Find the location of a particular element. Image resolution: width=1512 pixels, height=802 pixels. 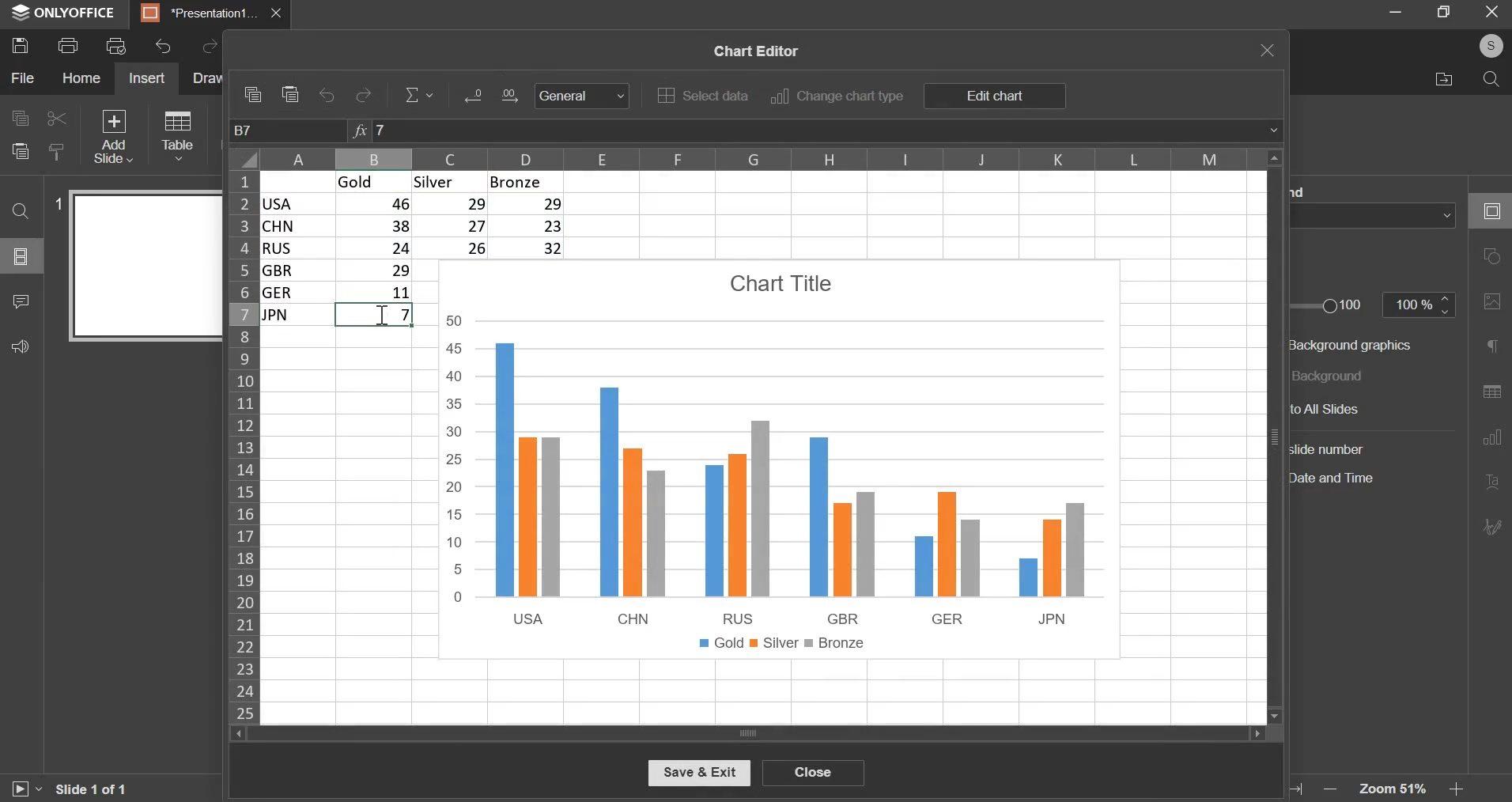

date and time is located at coordinates (1342, 479).